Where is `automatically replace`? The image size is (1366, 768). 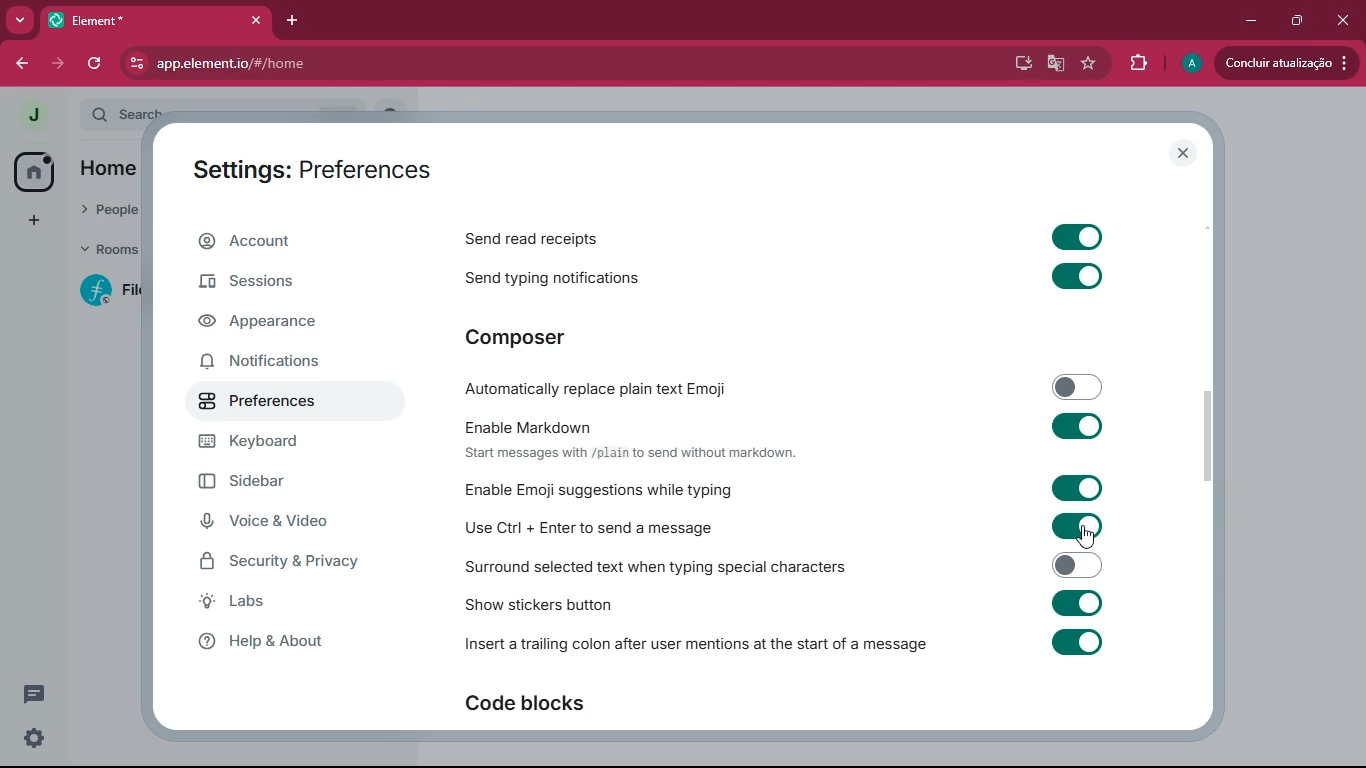 automatically replace is located at coordinates (605, 390).